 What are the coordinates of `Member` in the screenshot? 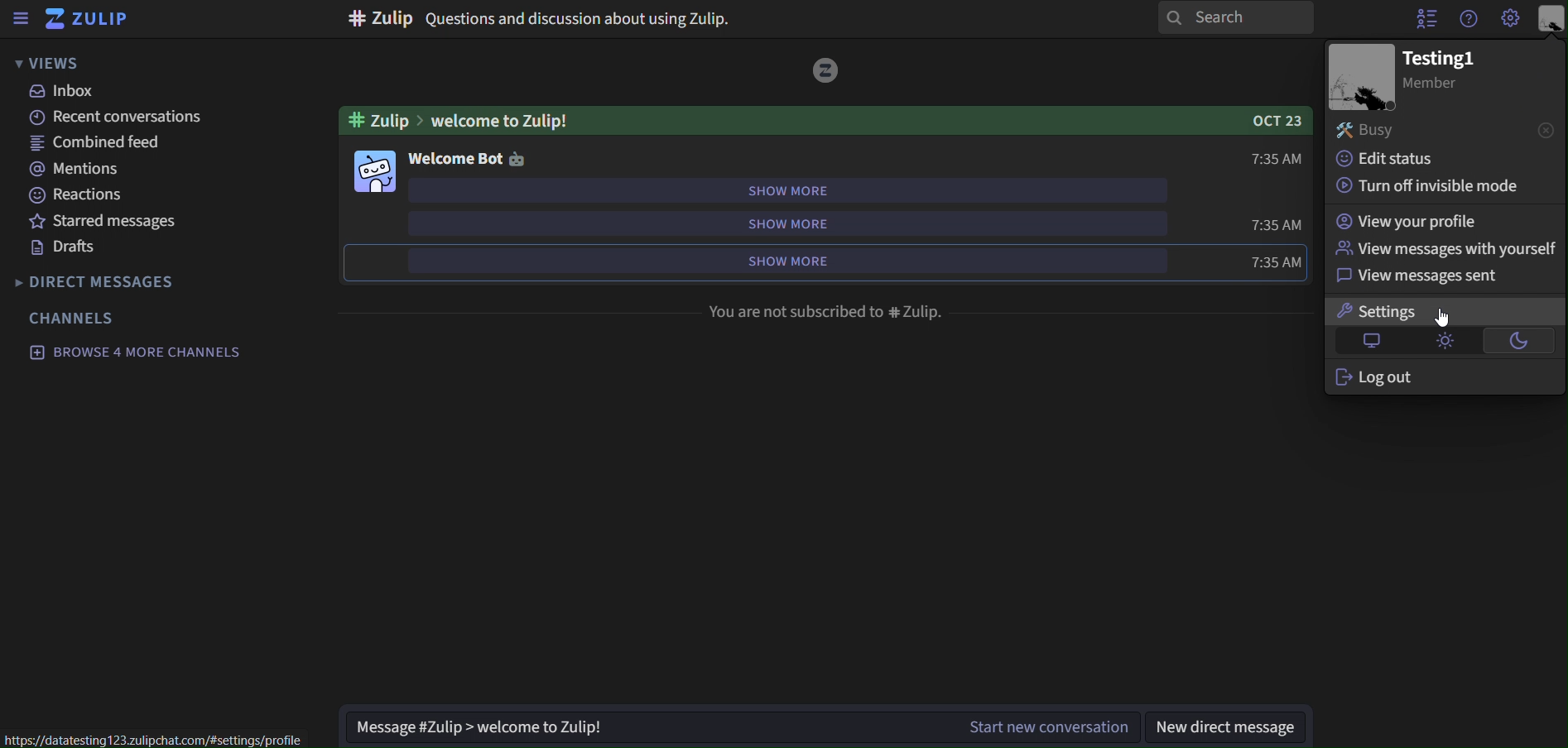 It's located at (1441, 85).